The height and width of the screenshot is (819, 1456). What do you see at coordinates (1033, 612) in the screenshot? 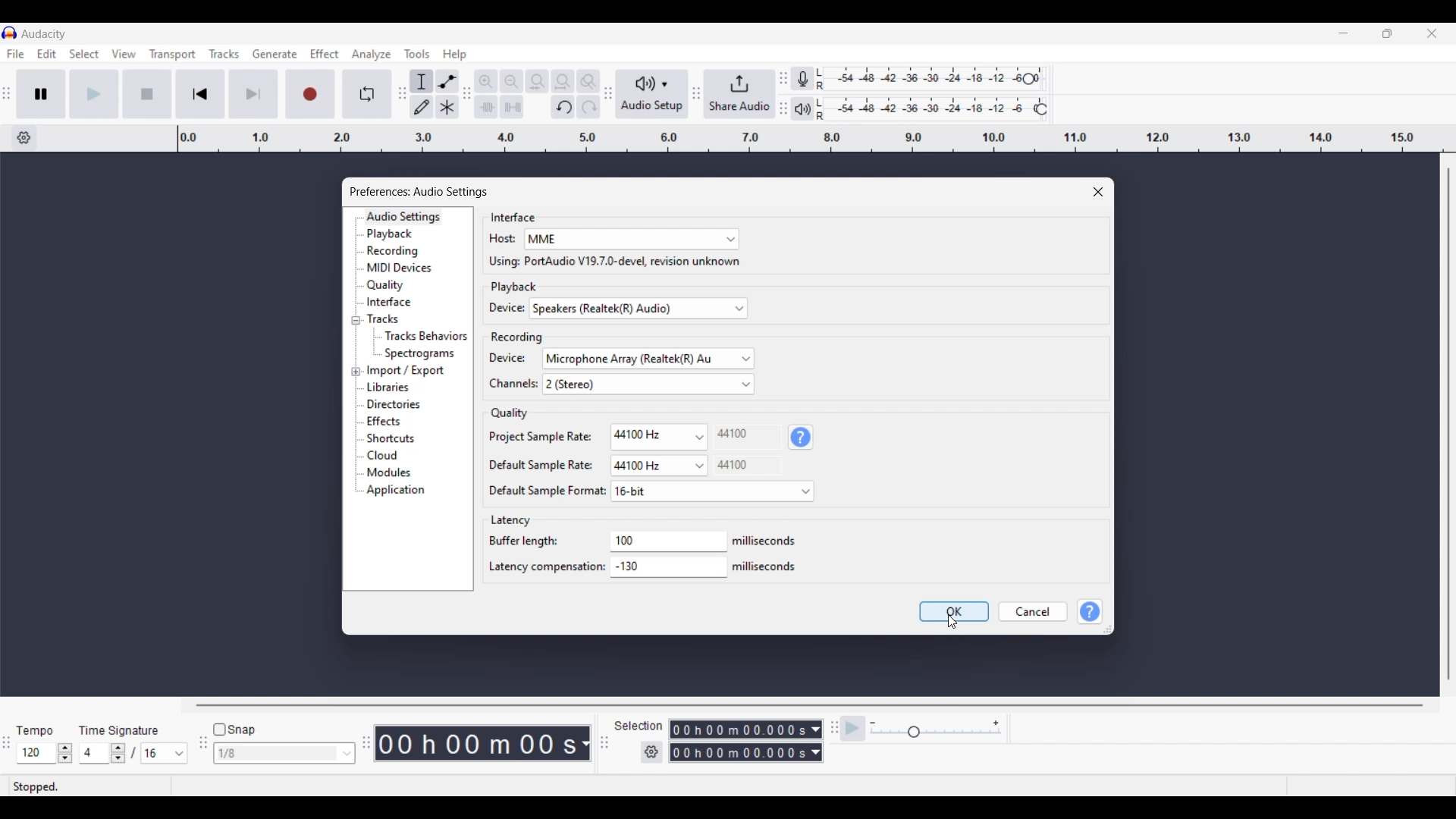
I see `Cancel inputs made` at bounding box center [1033, 612].